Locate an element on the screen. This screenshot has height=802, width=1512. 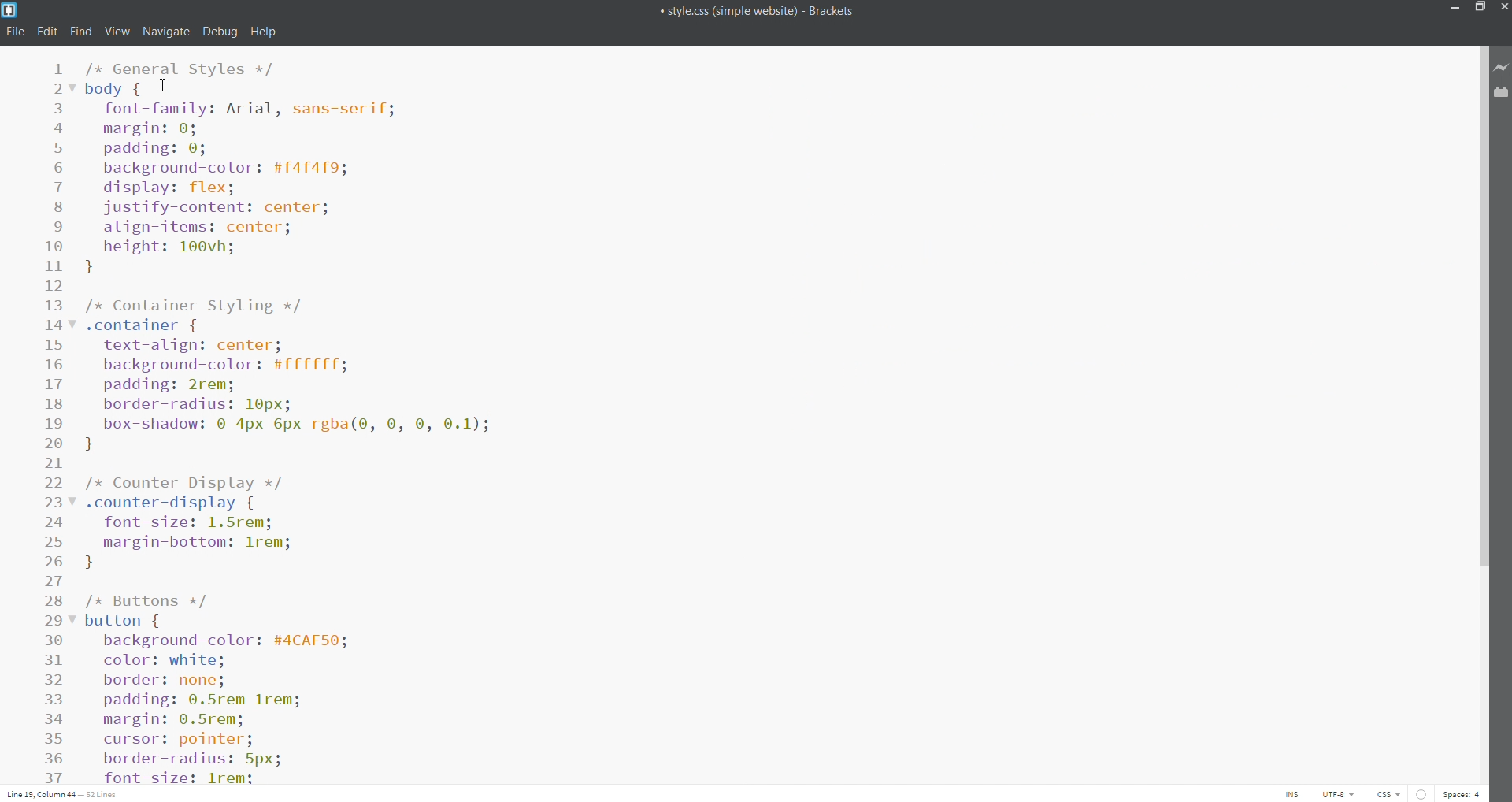
title bar is located at coordinates (716, 11).